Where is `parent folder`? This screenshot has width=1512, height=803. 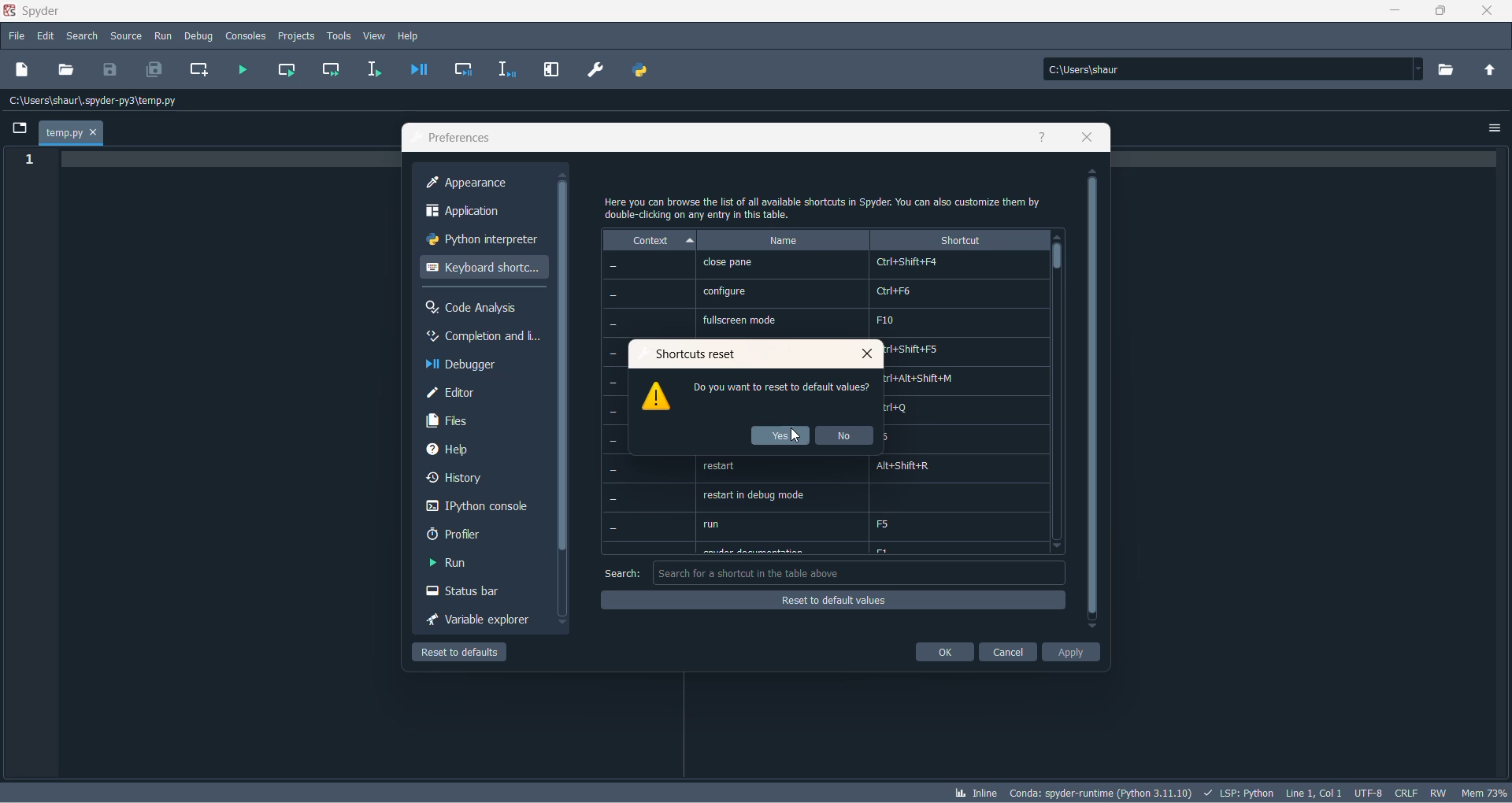
parent folder is located at coordinates (1492, 71).